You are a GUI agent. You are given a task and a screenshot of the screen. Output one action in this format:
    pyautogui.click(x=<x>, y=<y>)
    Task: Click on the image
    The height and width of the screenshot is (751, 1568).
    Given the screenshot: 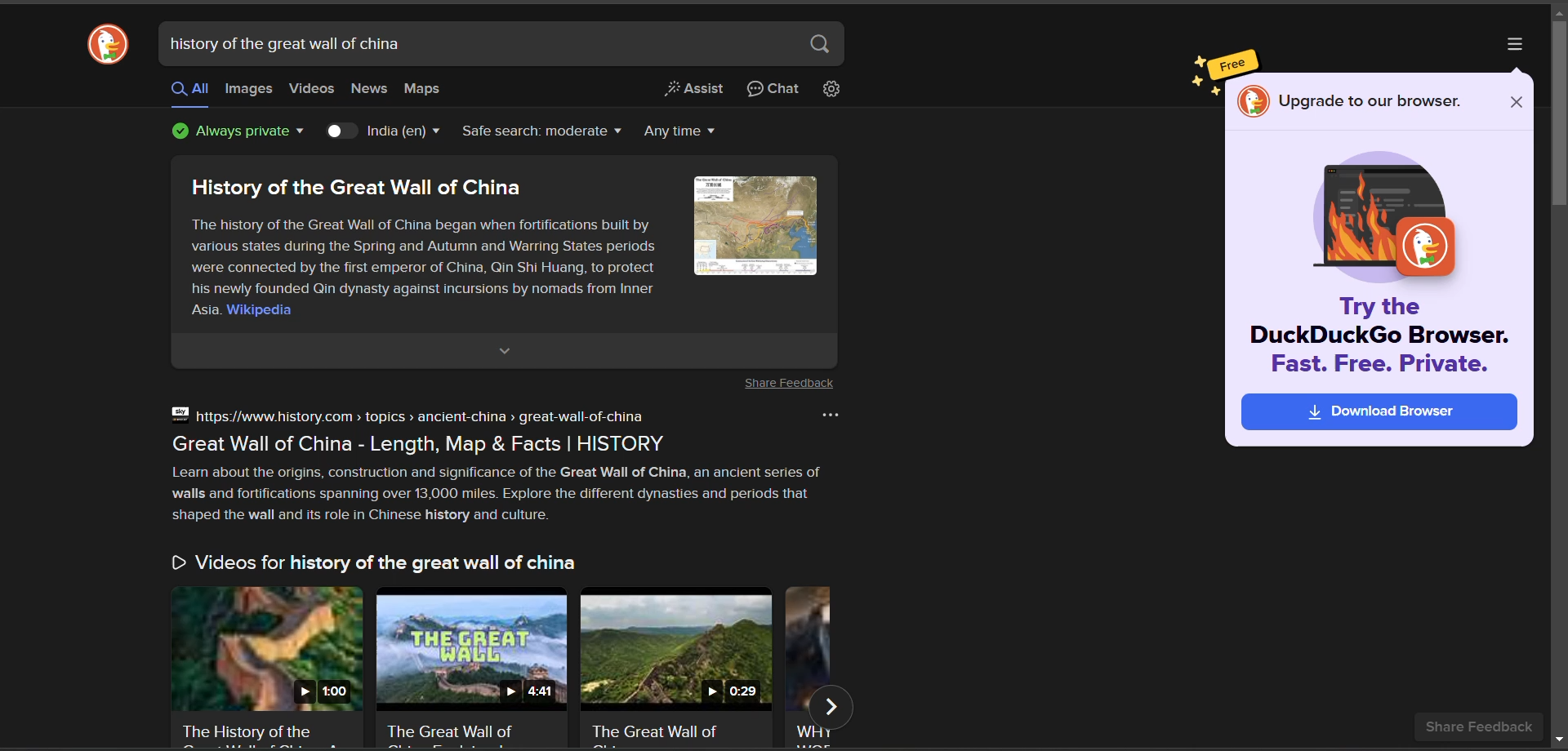 What is the action you would take?
    pyautogui.click(x=754, y=229)
    